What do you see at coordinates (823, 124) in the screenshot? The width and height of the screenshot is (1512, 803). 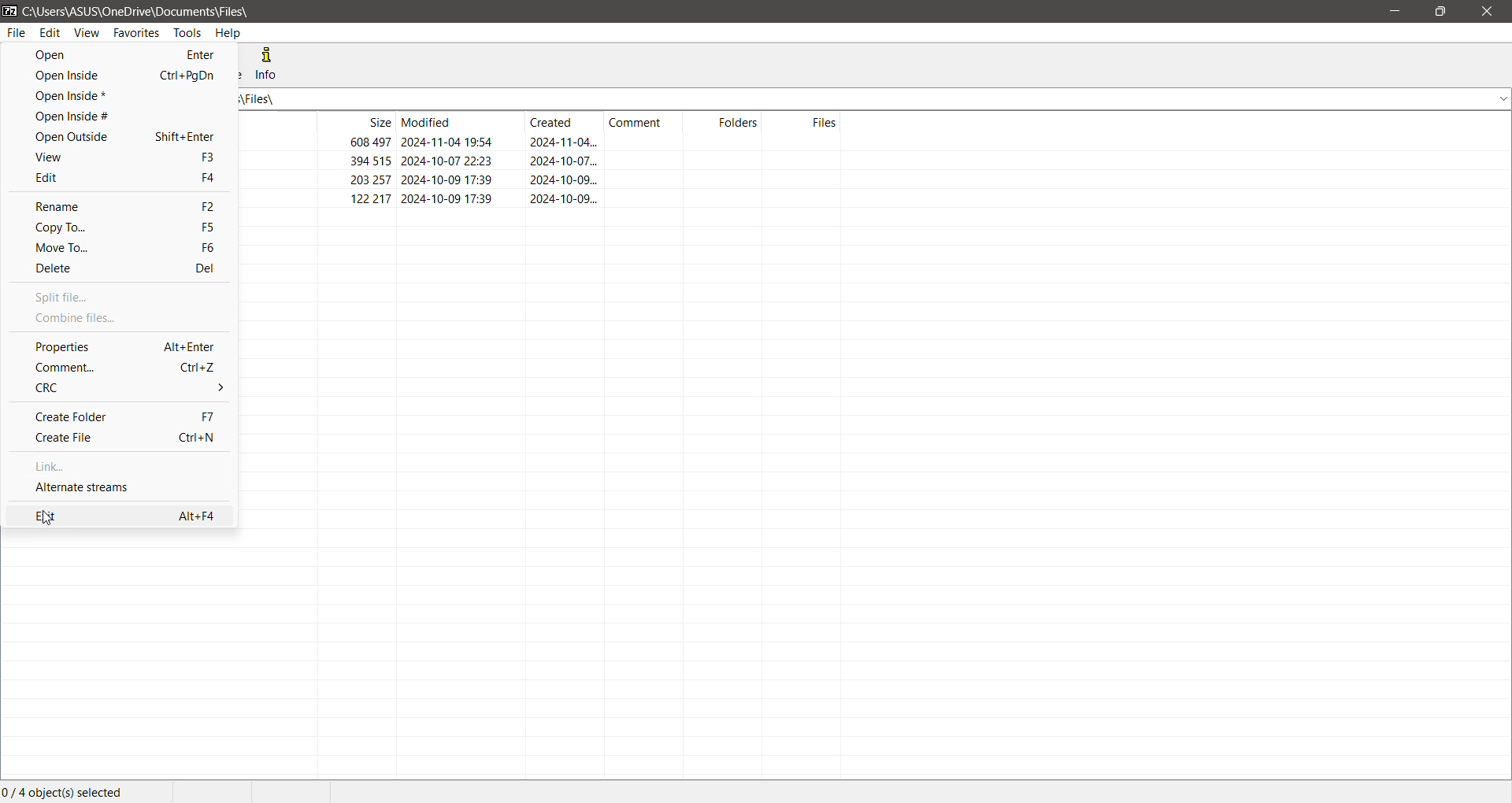 I see `Files` at bounding box center [823, 124].